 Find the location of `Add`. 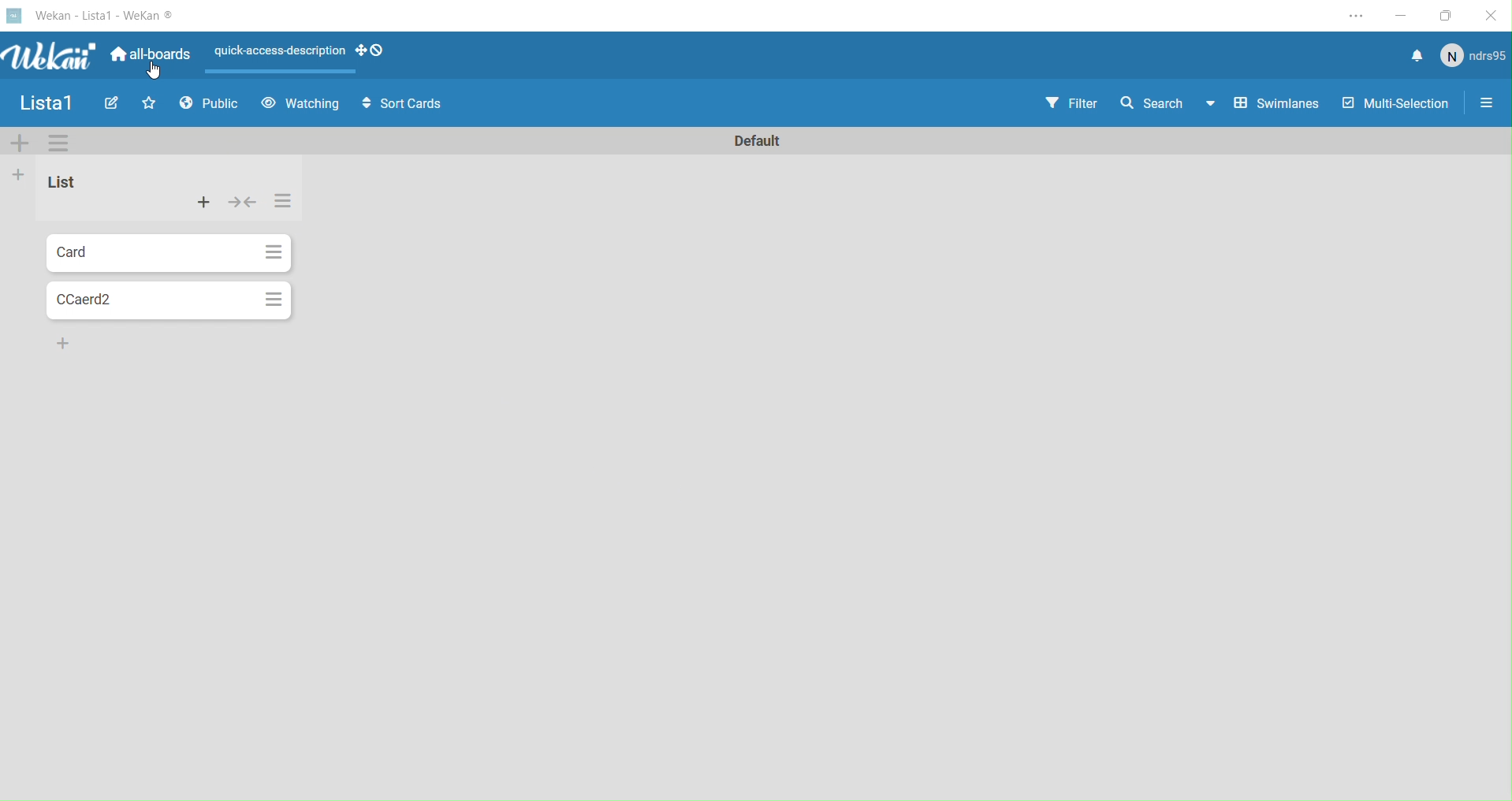

Add is located at coordinates (62, 347).